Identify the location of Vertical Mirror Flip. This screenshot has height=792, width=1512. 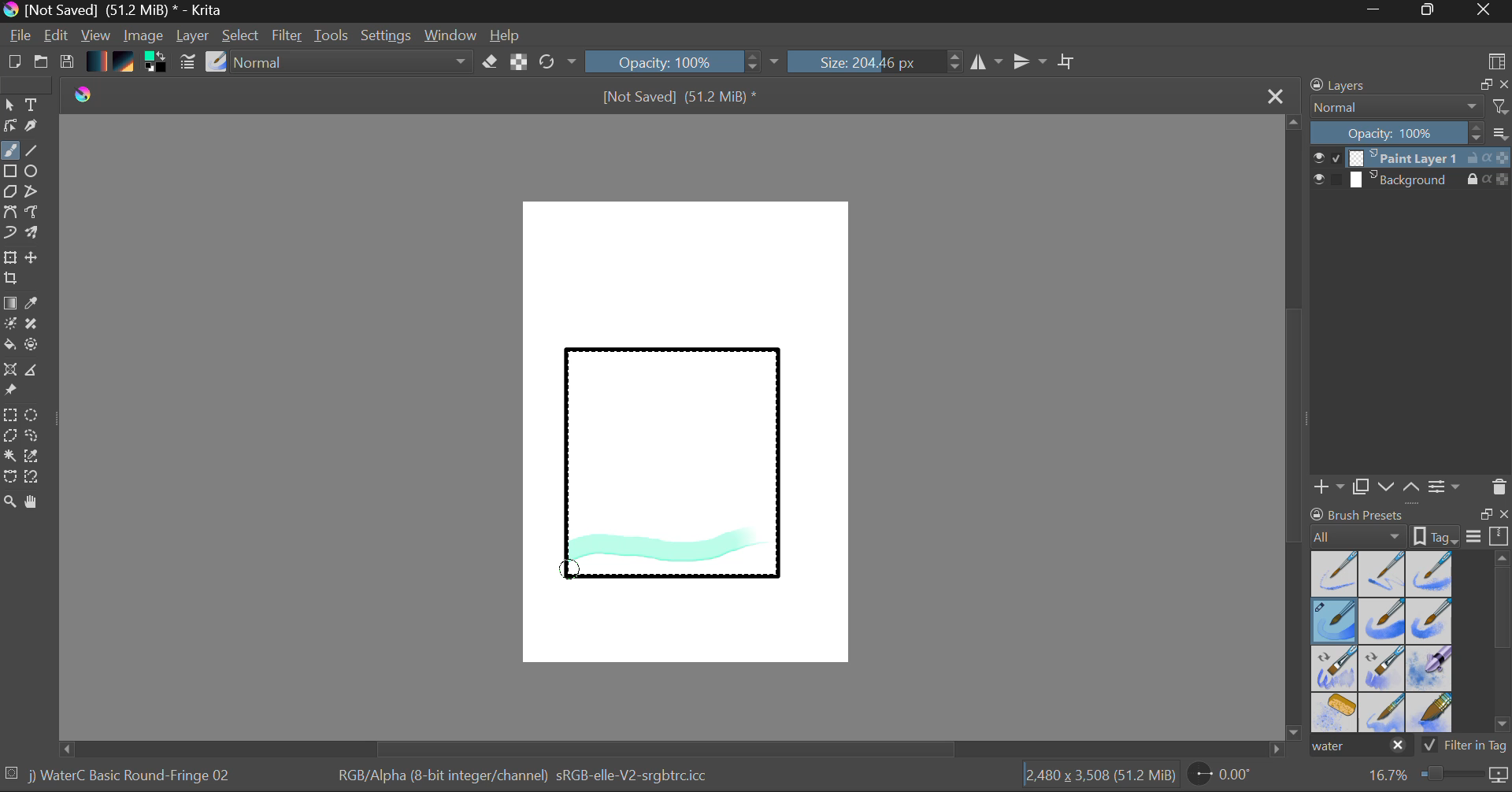
(986, 62).